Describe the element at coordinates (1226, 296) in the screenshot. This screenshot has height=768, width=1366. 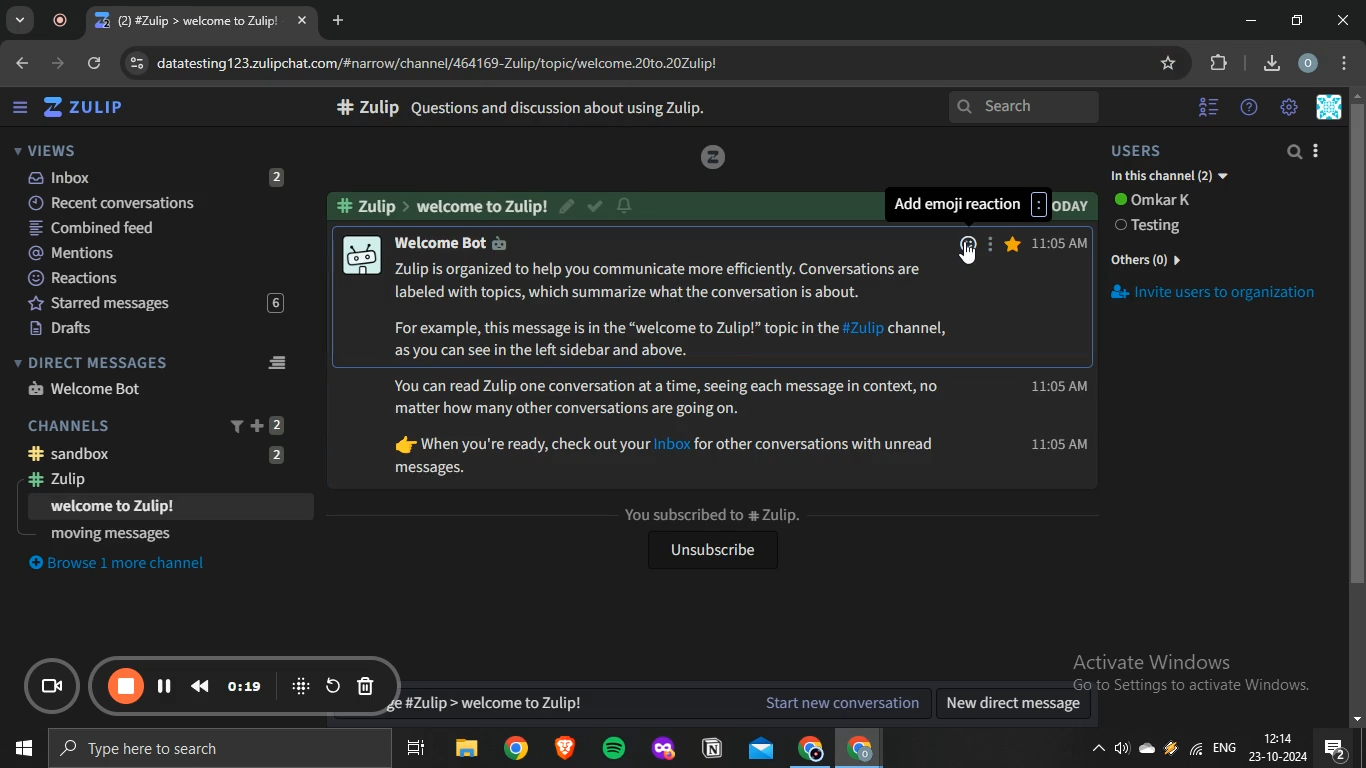
I see `invite users to organization` at that location.